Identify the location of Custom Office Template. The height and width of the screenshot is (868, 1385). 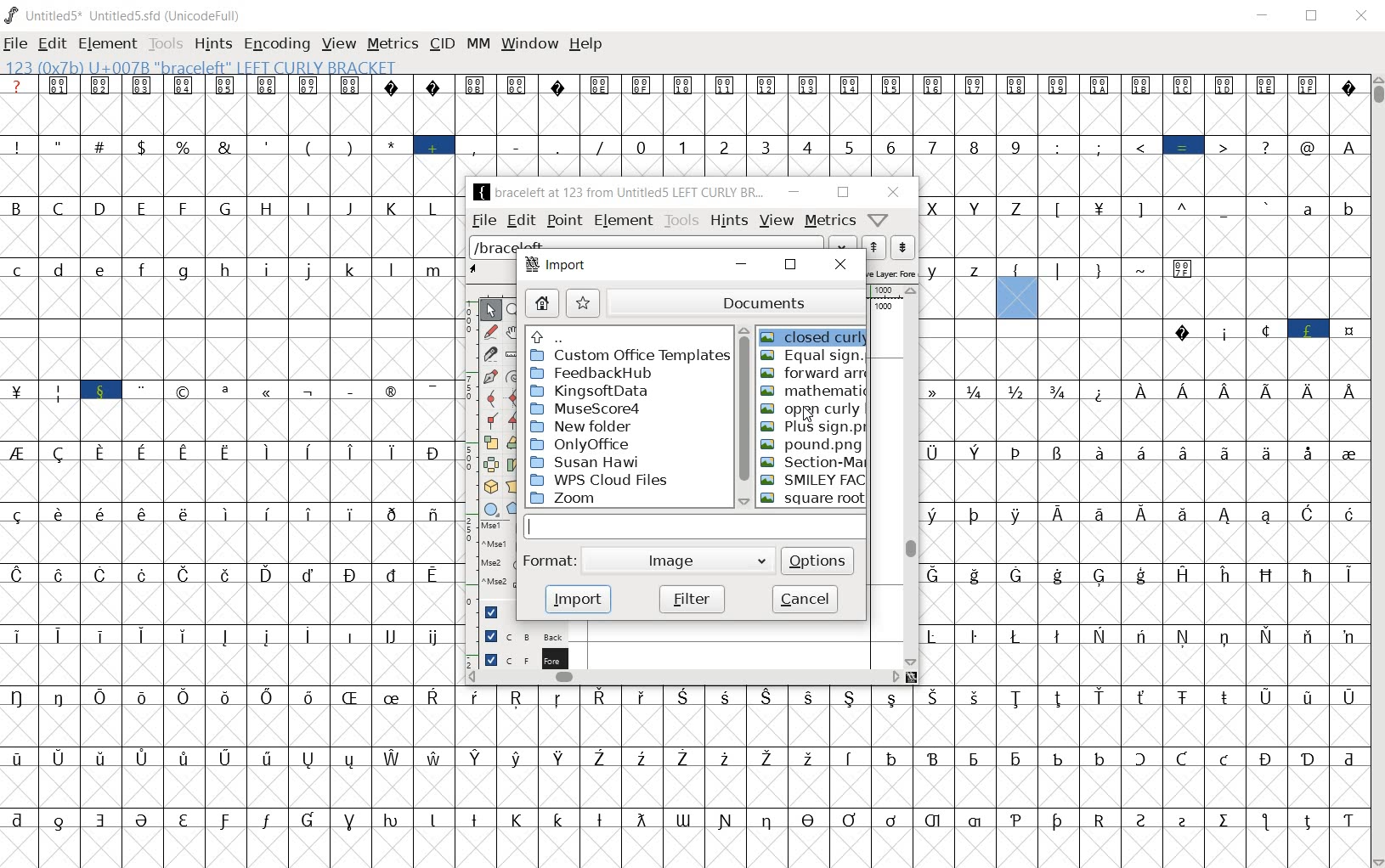
(629, 355).